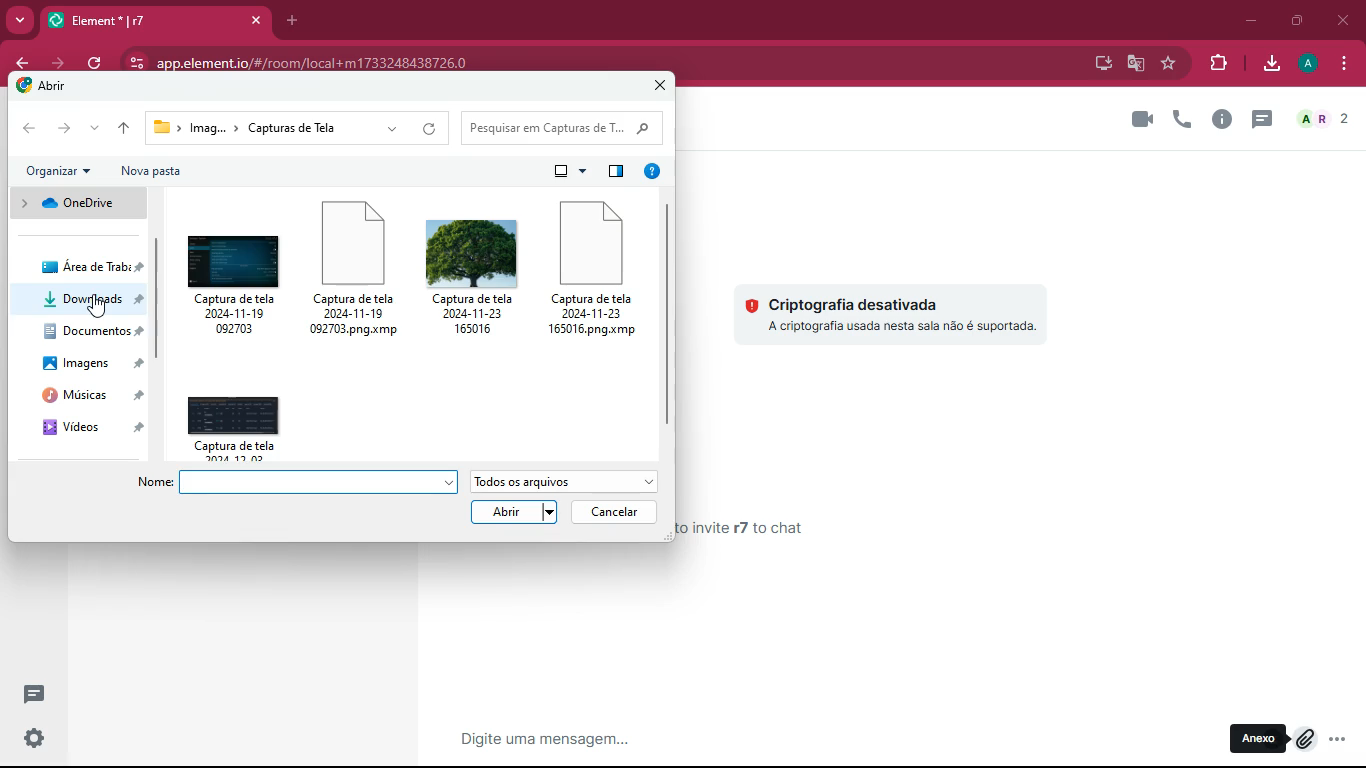 This screenshot has width=1366, height=768. Describe the element at coordinates (1135, 64) in the screenshot. I see `google translate` at that location.